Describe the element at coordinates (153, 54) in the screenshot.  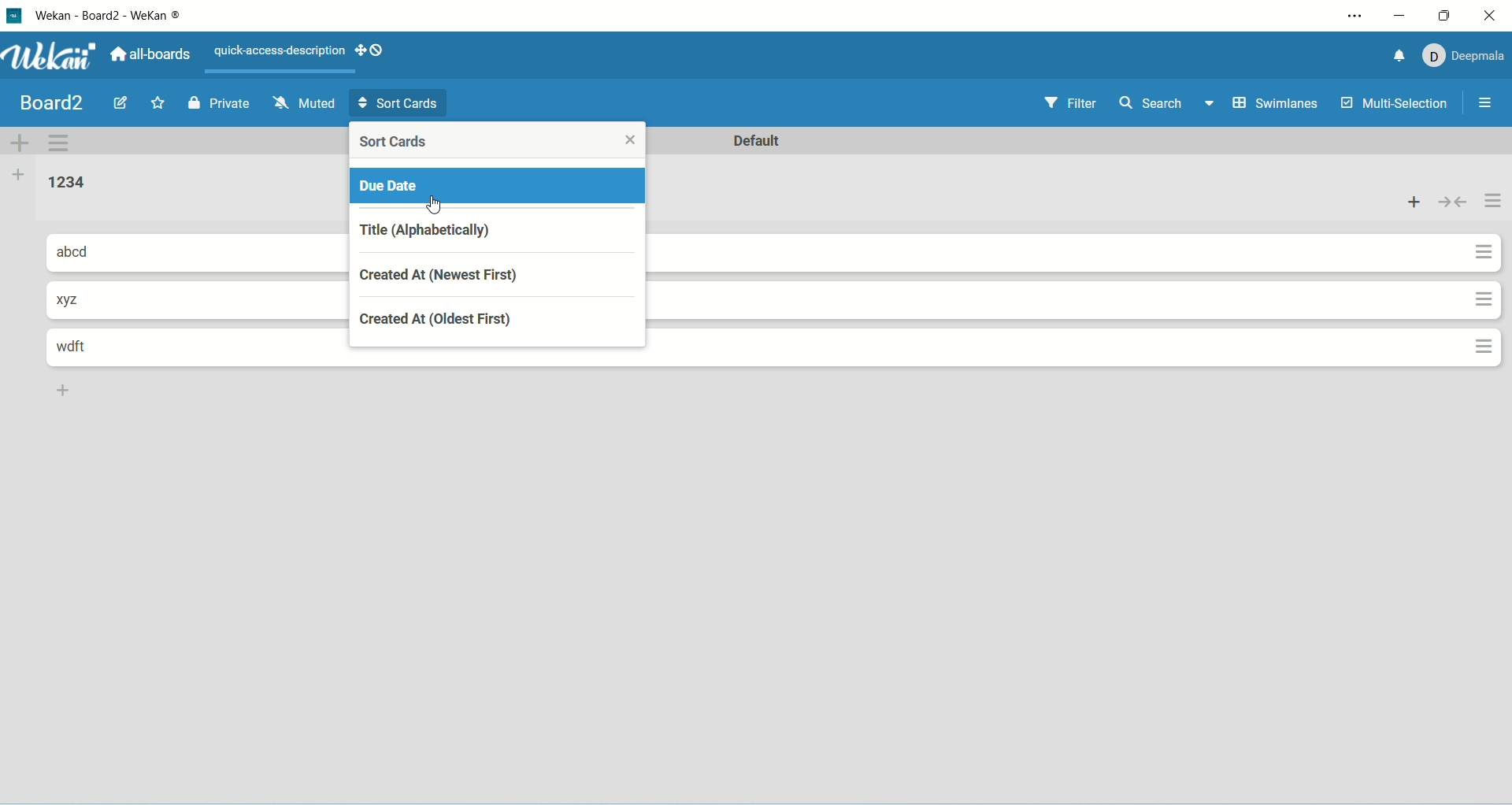
I see `all boards` at that location.